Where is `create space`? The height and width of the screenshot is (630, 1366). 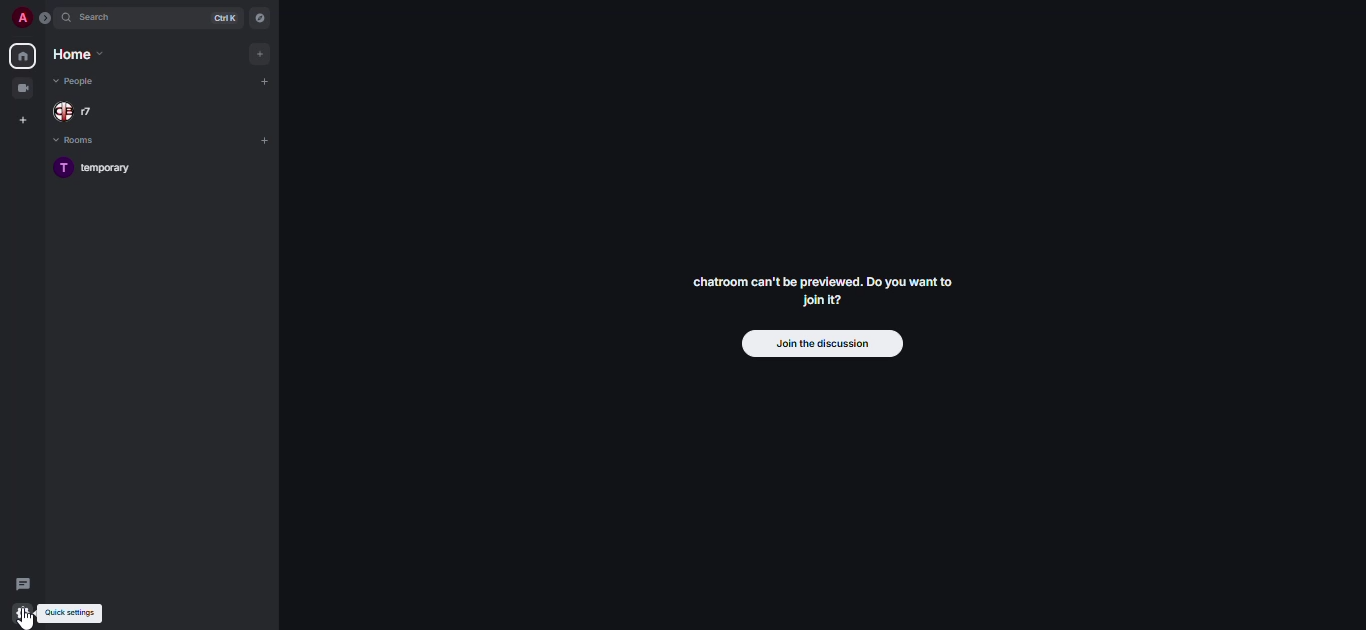
create space is located at coordinates (21, 120).